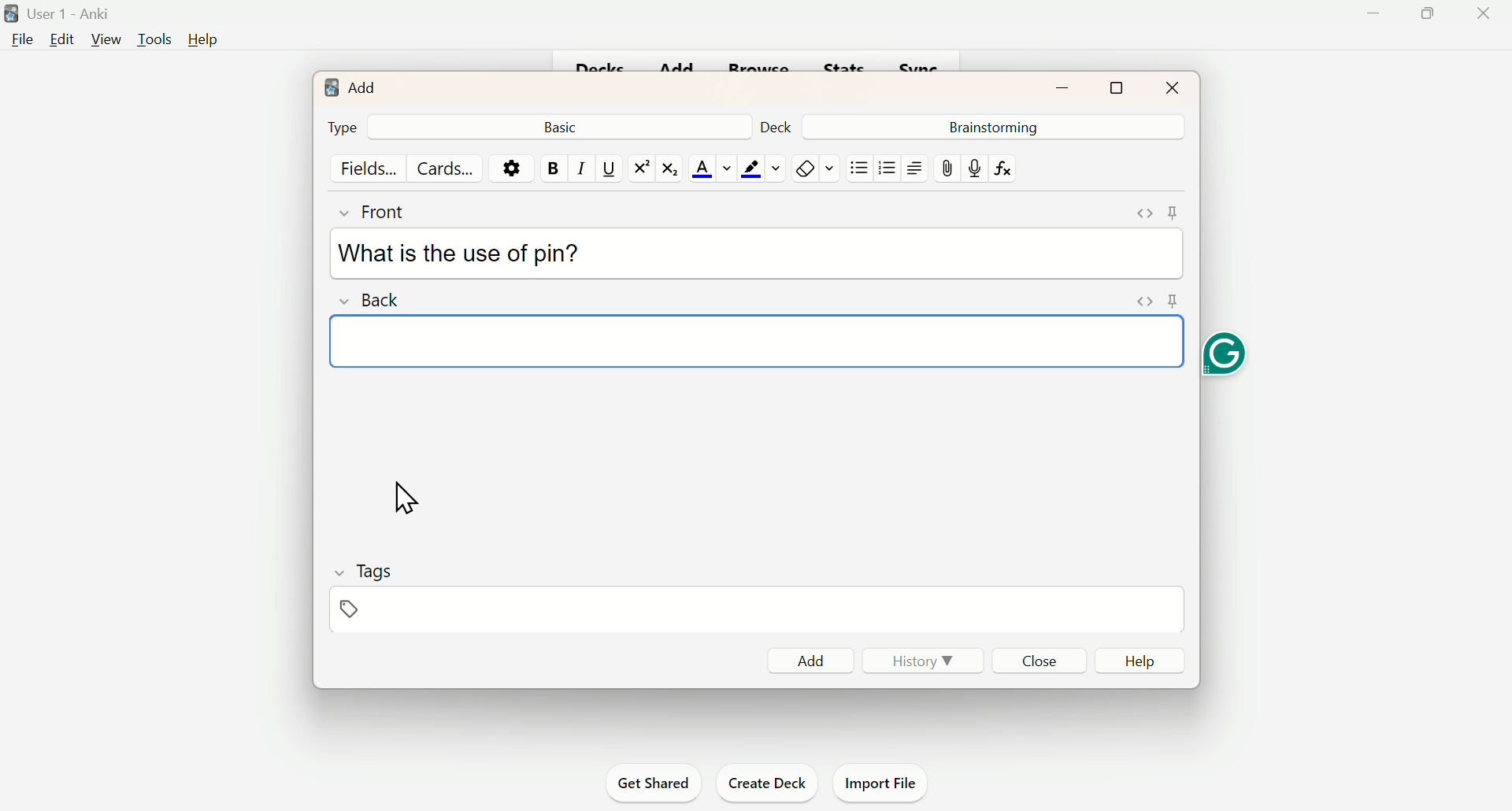 This screenshot has height=811, width=1512. I want to click on Pins, so click(1152, 302).